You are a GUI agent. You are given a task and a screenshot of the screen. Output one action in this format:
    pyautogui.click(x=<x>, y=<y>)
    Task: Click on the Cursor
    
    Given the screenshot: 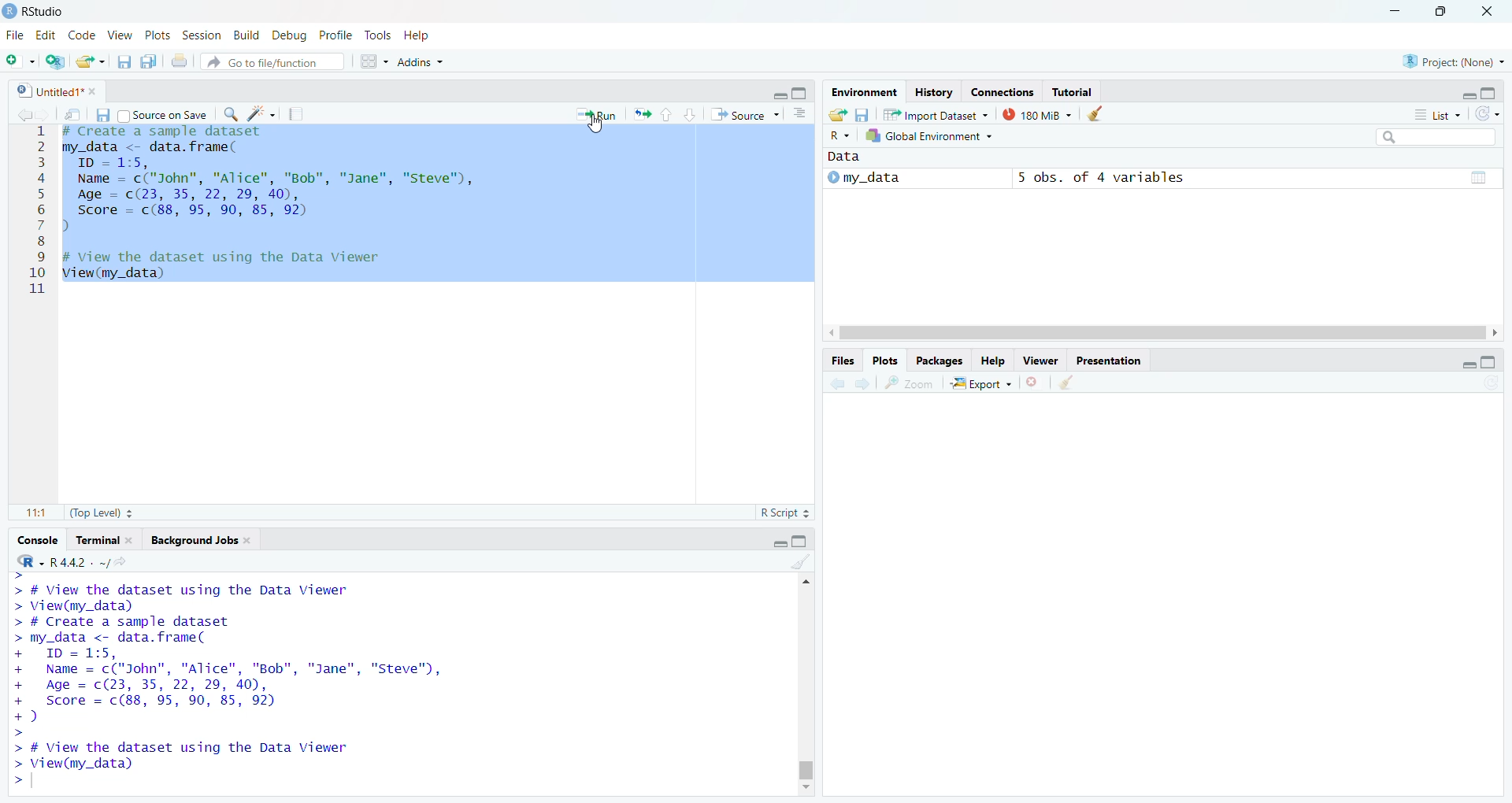 What is the action you would take?
    pyautogui.click(x=598, y=128)
    